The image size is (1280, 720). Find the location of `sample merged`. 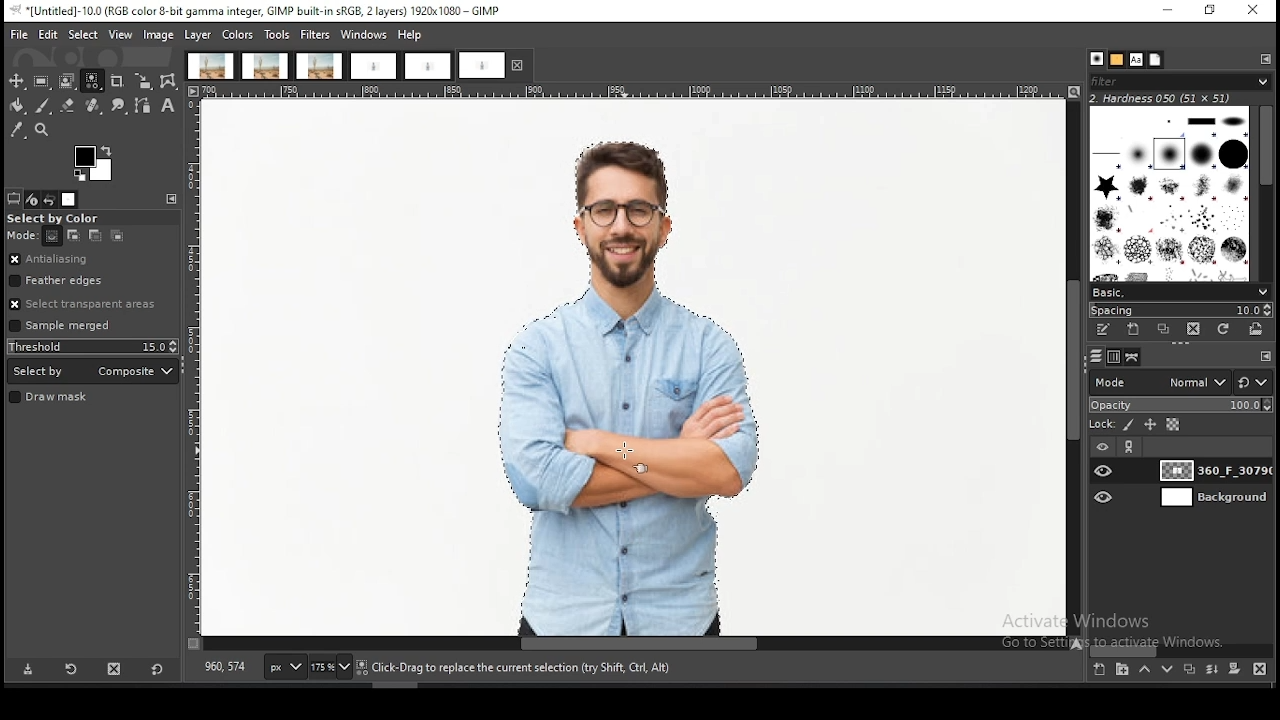

sample merged is located at coordinates (60, 327).